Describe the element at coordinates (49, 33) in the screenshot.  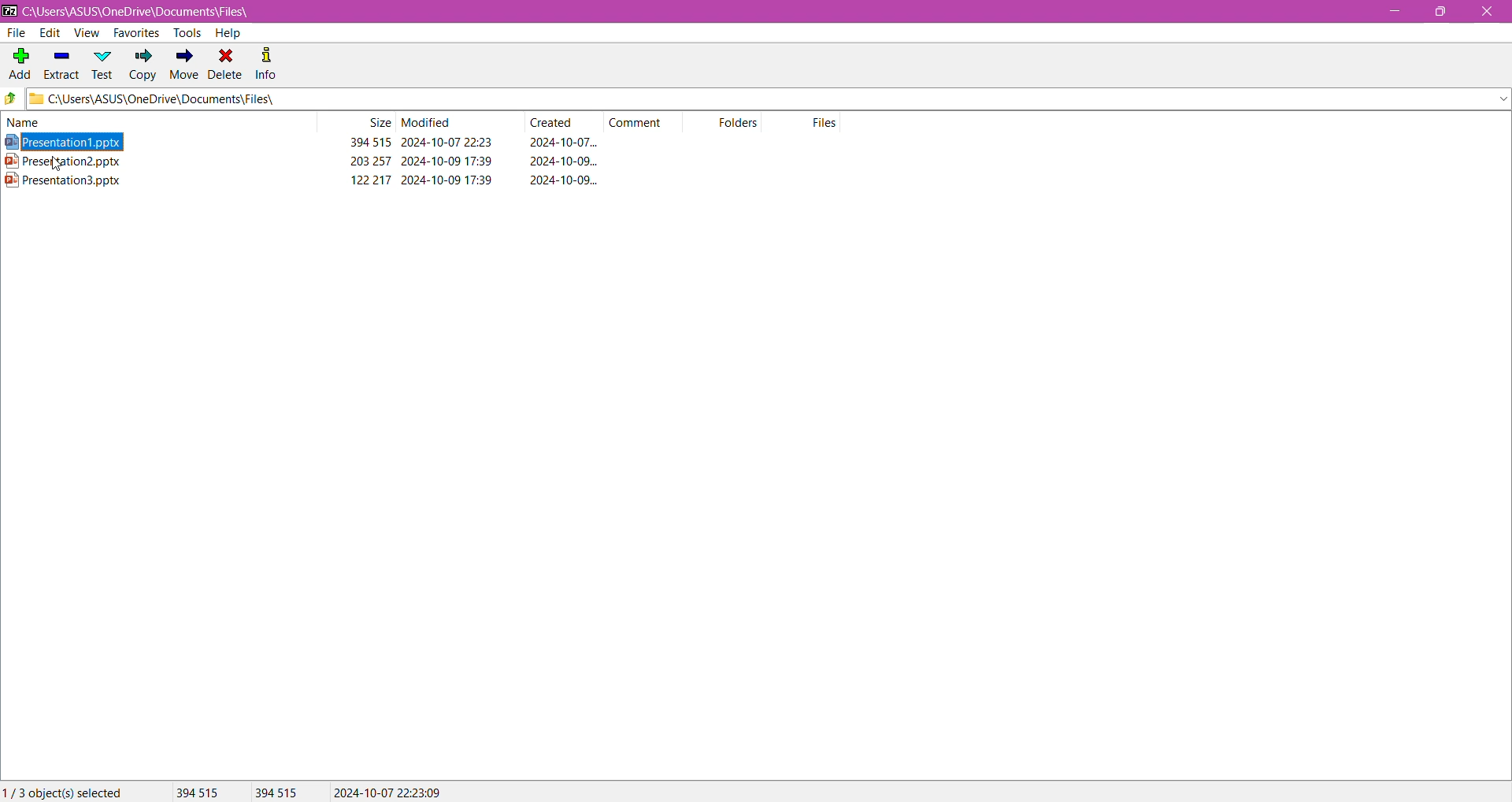
I see `Edit` at that location.